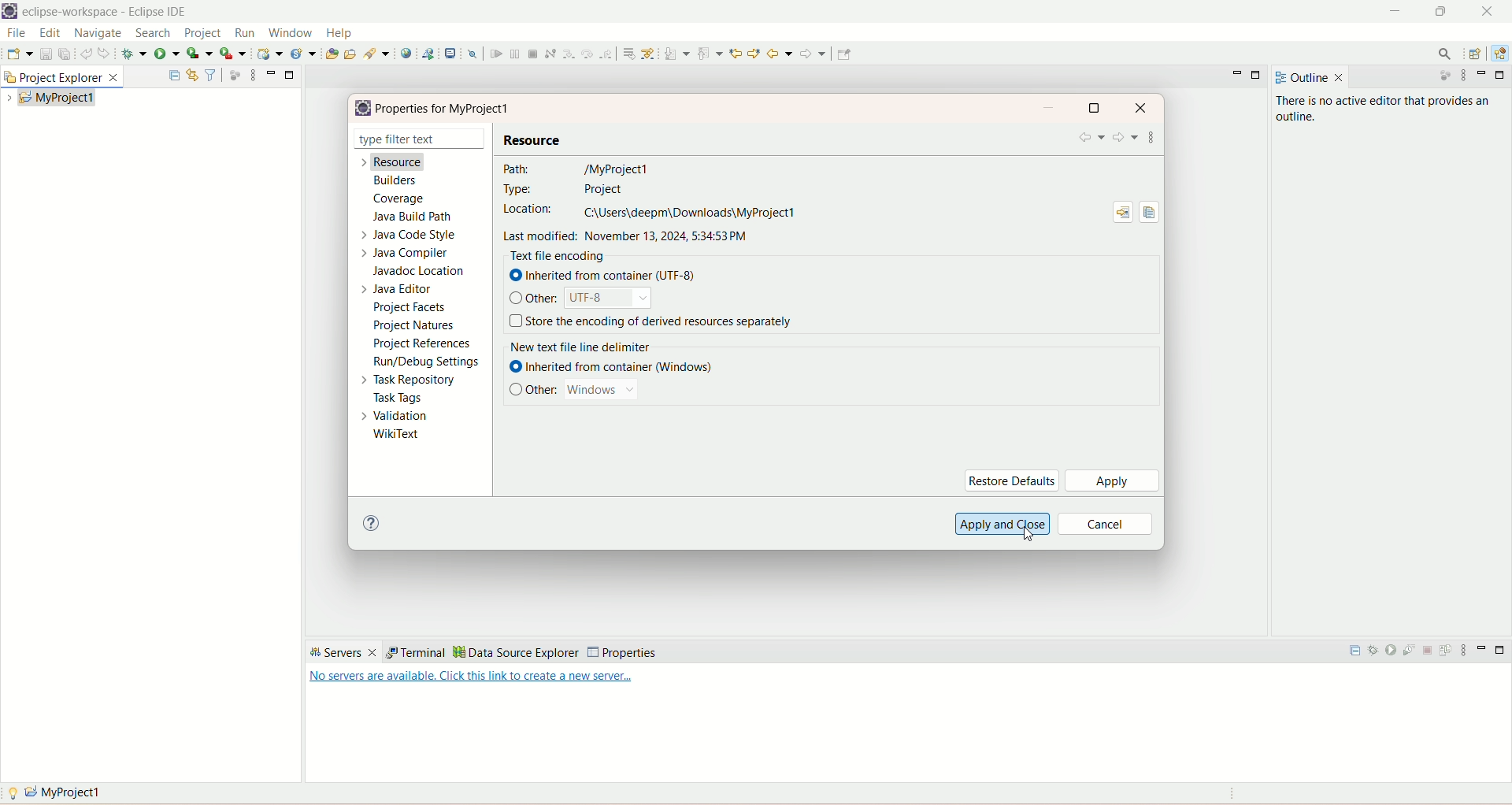  What do you see at coordinates (1501, 53) in the screenshot?
I see `java EE` at bounding box center [1501, 53].